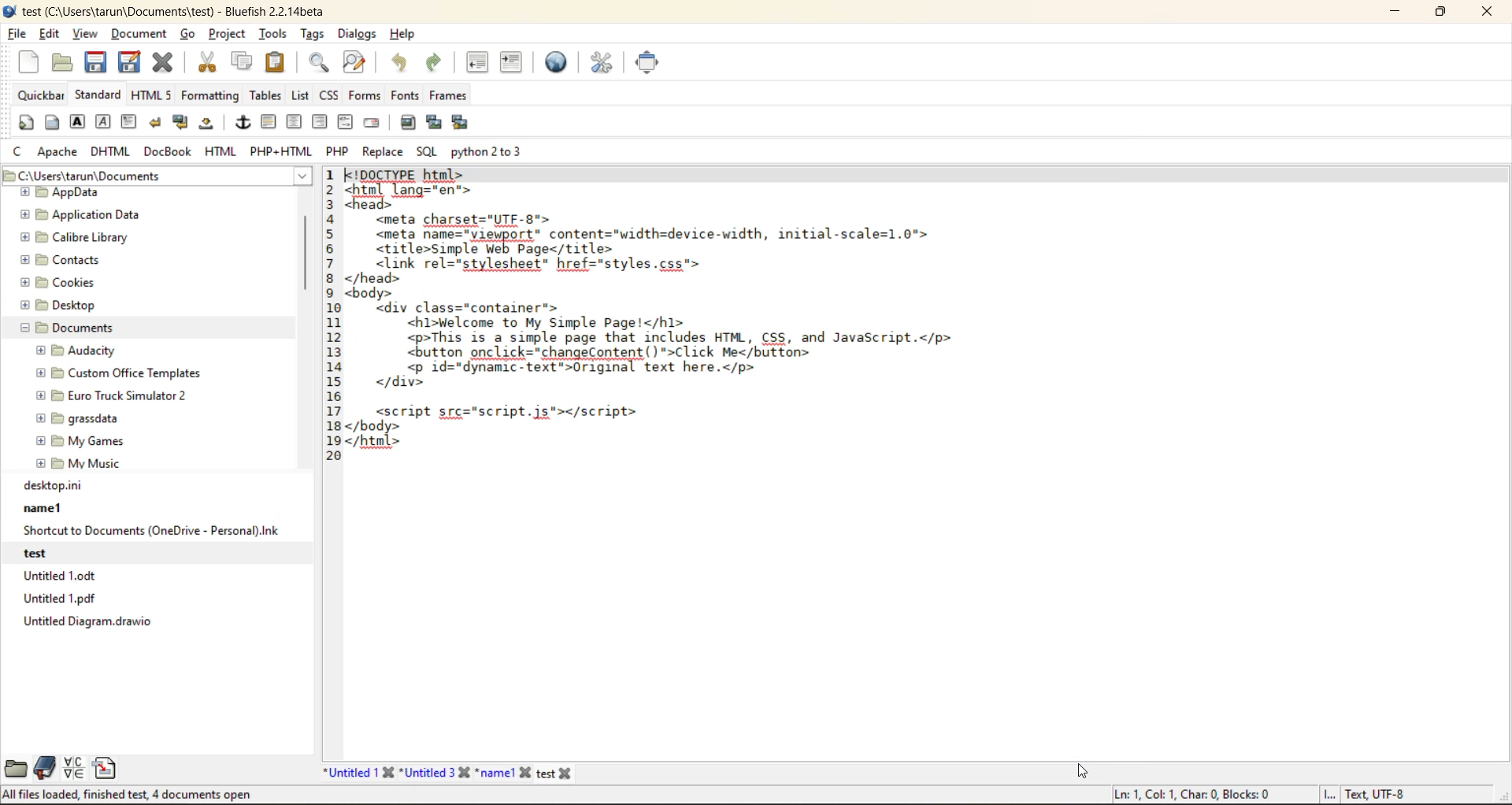  What do you see at coordinates (358, 772) in the screenshot?
I see `untitled 1 tab` at bounding box center [358, 772].